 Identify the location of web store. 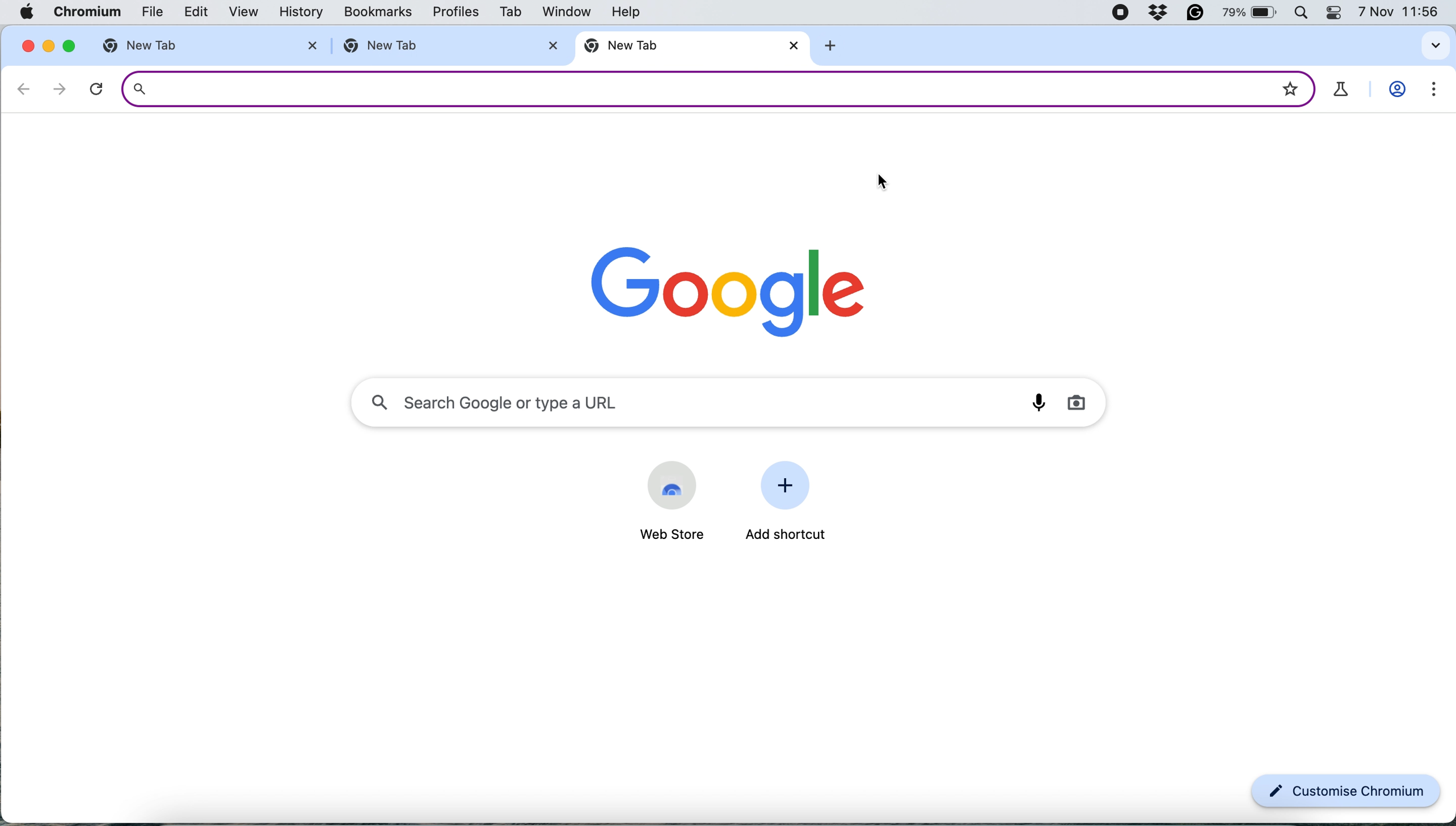
(666, 535).